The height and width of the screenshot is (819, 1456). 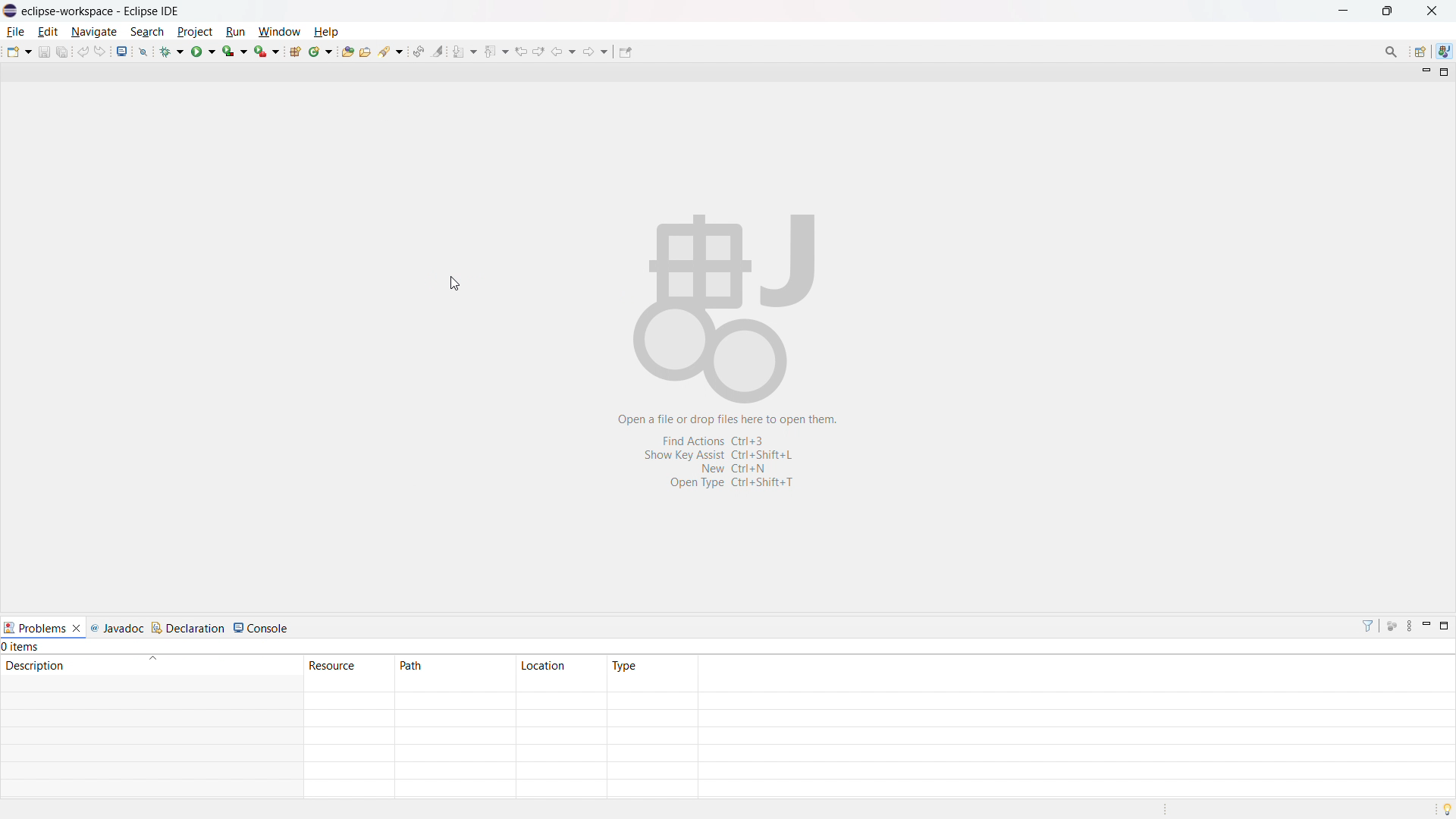 I want to click on logo, so click(x=10, y=11).